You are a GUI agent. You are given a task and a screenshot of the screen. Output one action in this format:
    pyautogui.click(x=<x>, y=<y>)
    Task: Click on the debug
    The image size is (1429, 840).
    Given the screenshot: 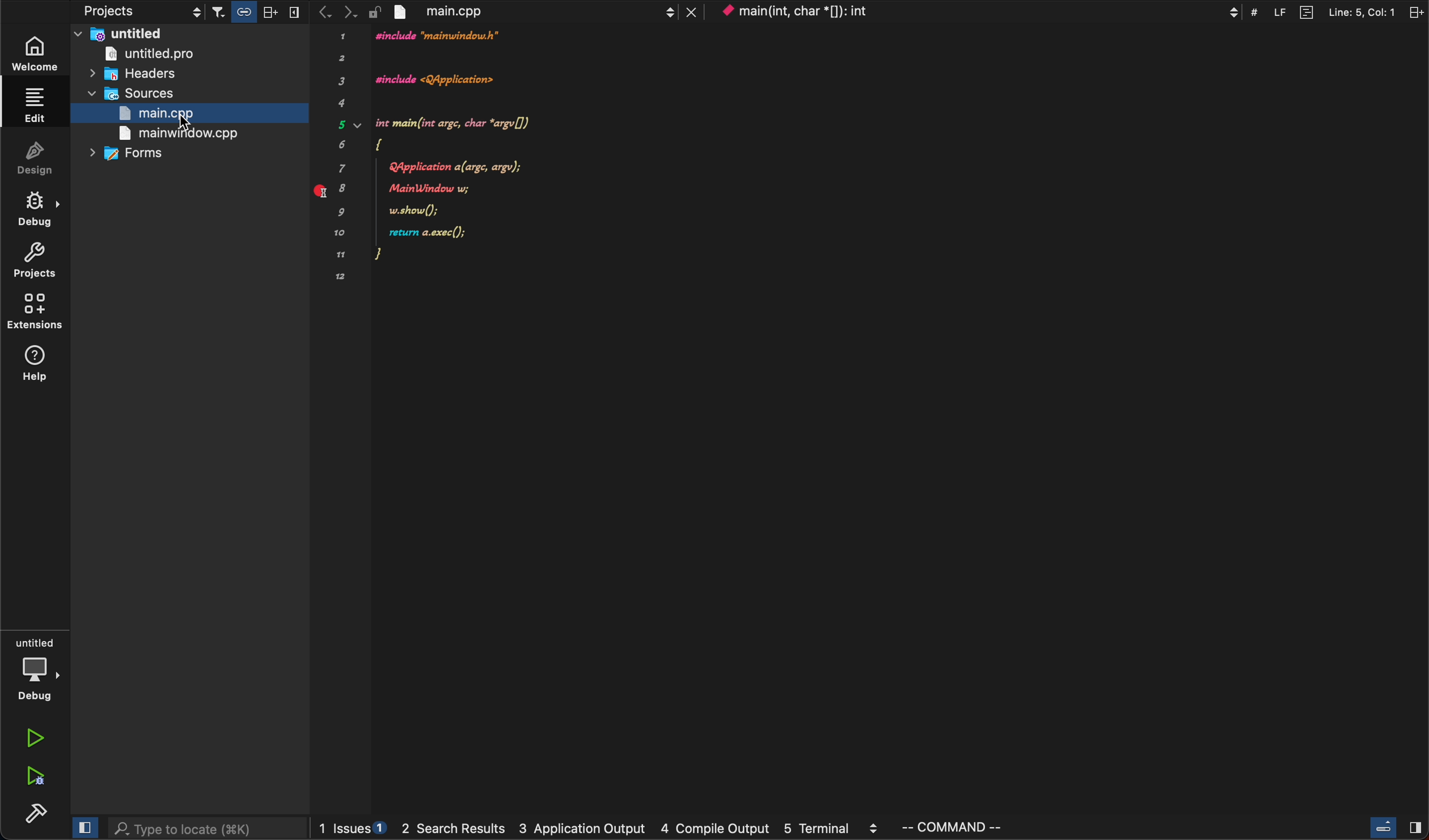 What is the action you would take?
    pyautogui.click(x=38, y=209)
    